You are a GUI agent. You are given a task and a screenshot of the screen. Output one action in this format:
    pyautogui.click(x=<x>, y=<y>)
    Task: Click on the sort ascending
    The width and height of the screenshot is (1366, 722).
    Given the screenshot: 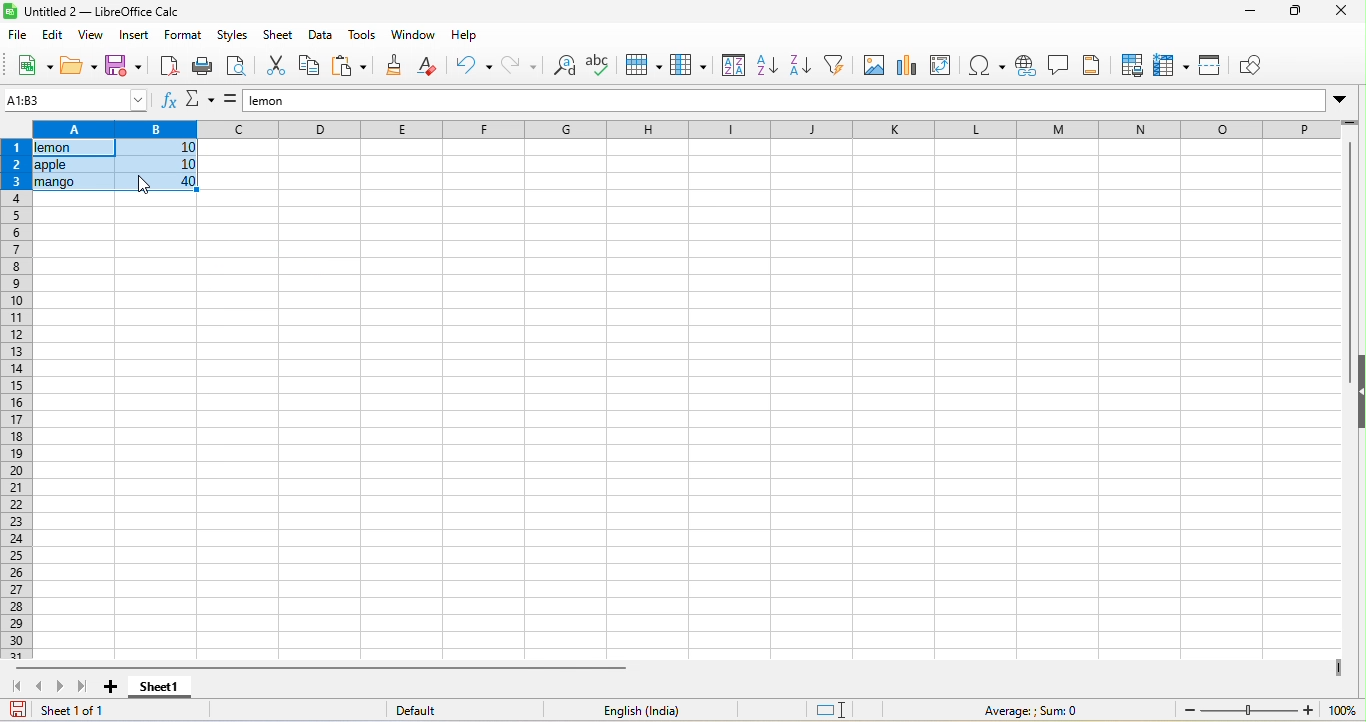 What is the action you would take?
    pyautogui.click(x=770, y=67)
    